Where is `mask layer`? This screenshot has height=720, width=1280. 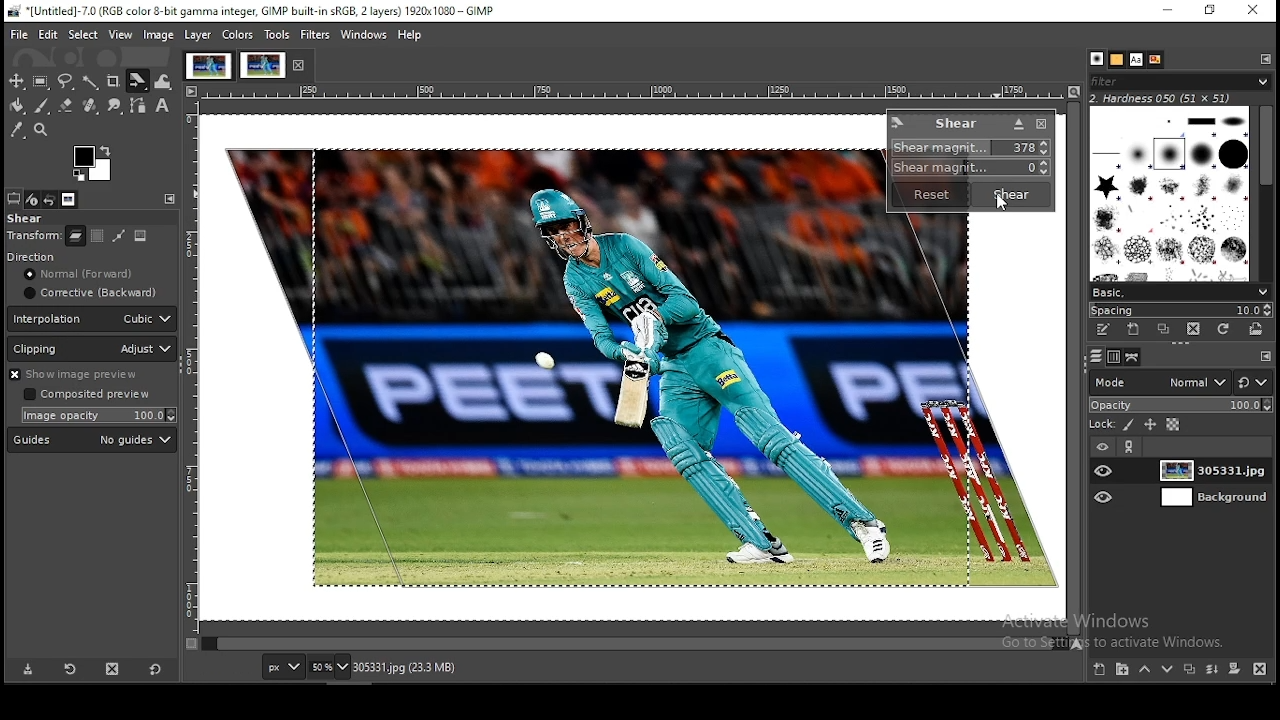
mask layer is located at coordinates (1234, 669).